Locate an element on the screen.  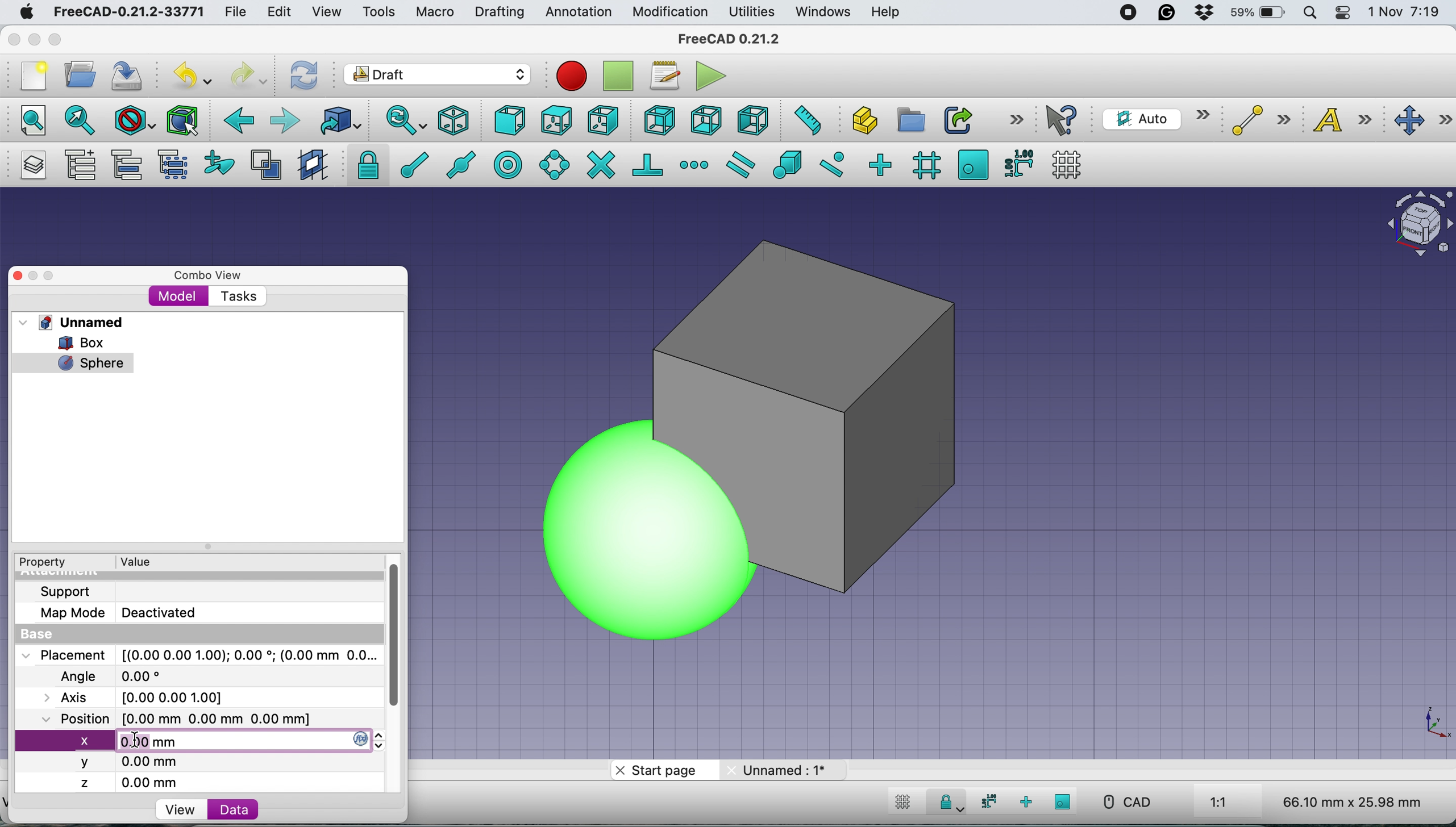
measure distance is located at coordinates (804, 119).